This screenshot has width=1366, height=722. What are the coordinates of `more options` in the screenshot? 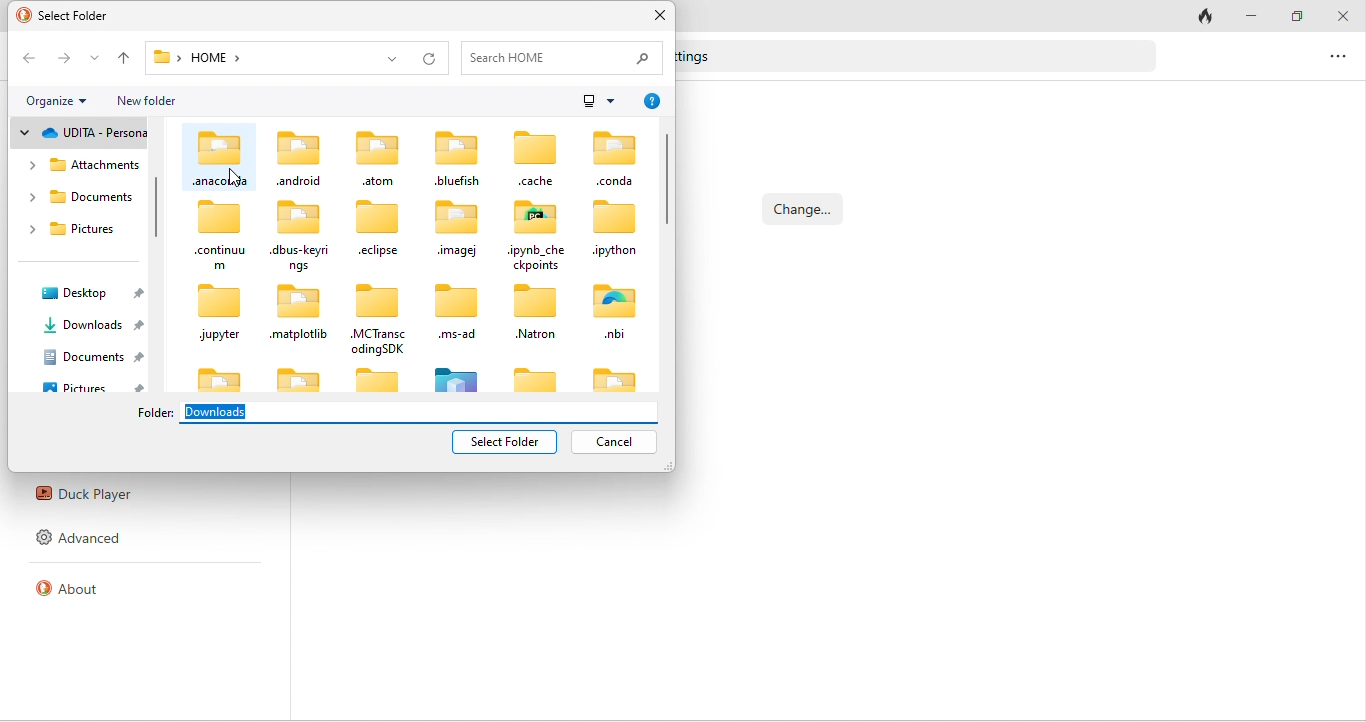 It's located at (1335, 56).